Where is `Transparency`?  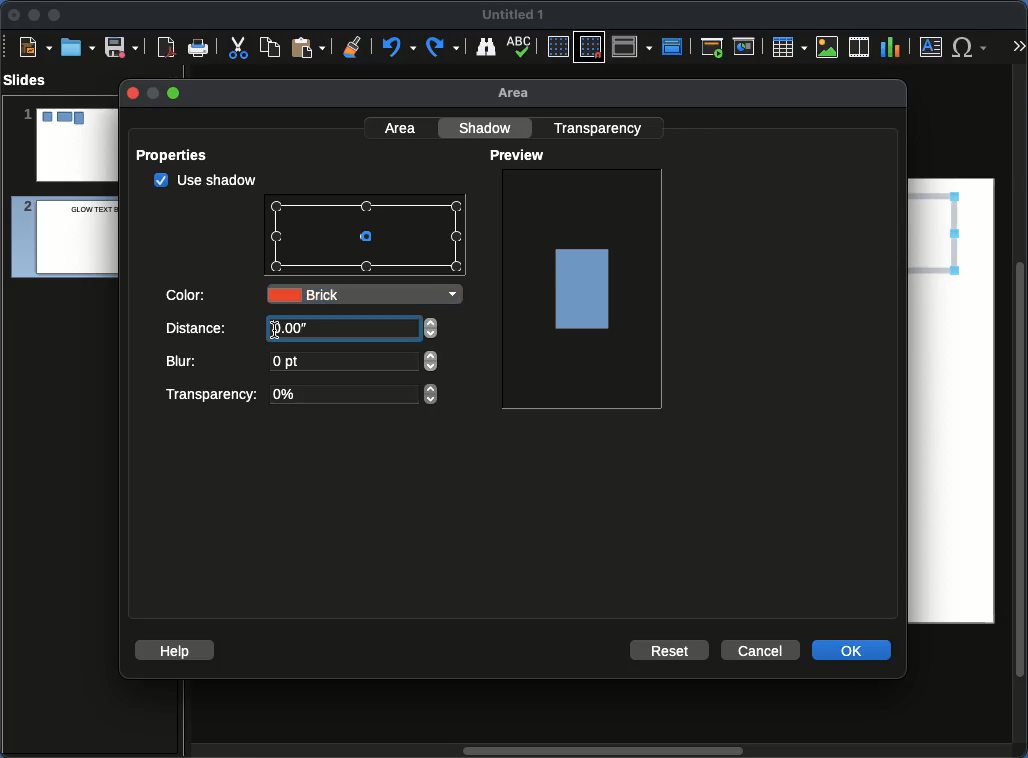
Transparency is located at coordinates (299, 395).